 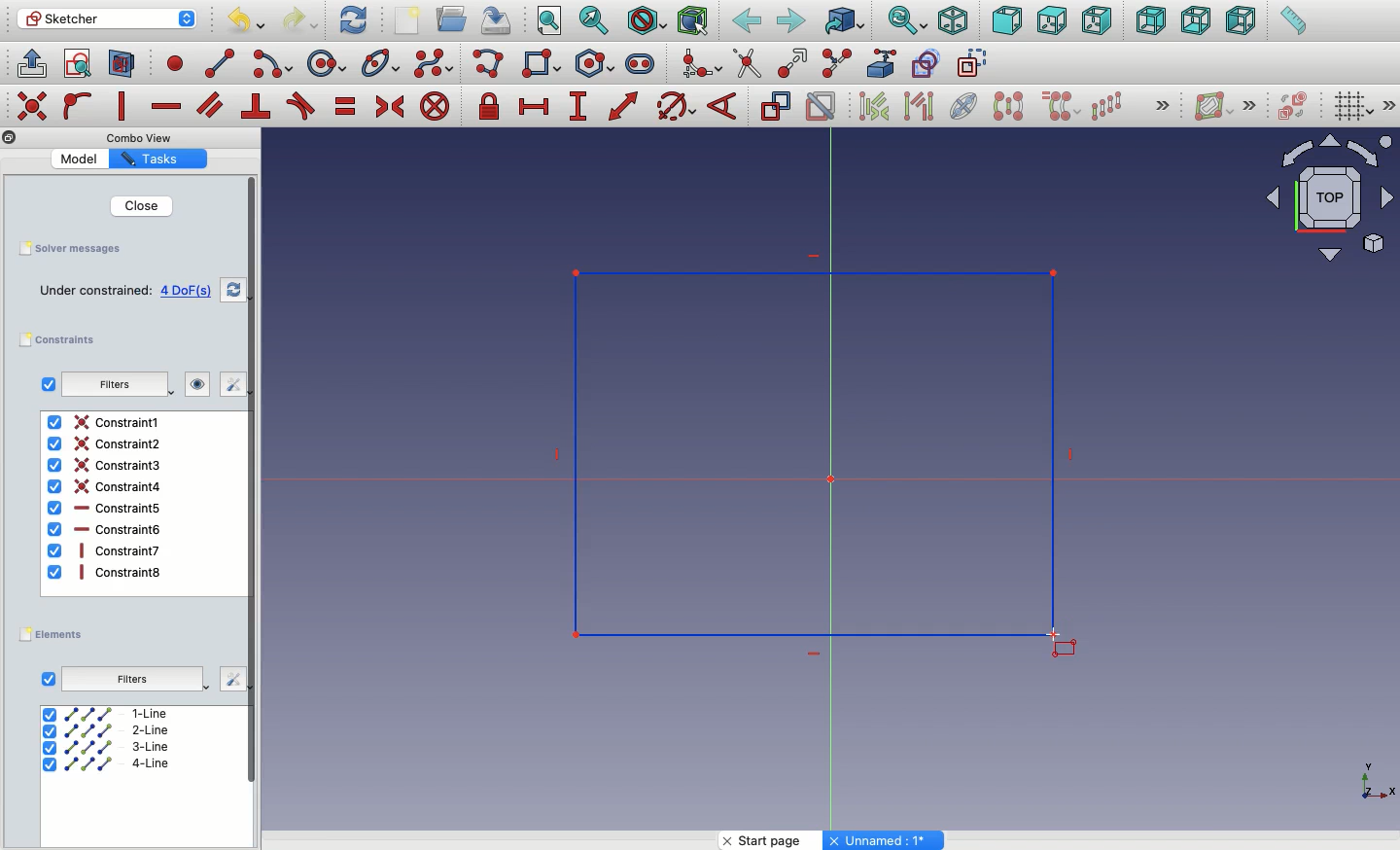 What do you see at coordinates (126, 107) in the screenshot?
I see `constrain vertically ` at bounding box center [126, 107].